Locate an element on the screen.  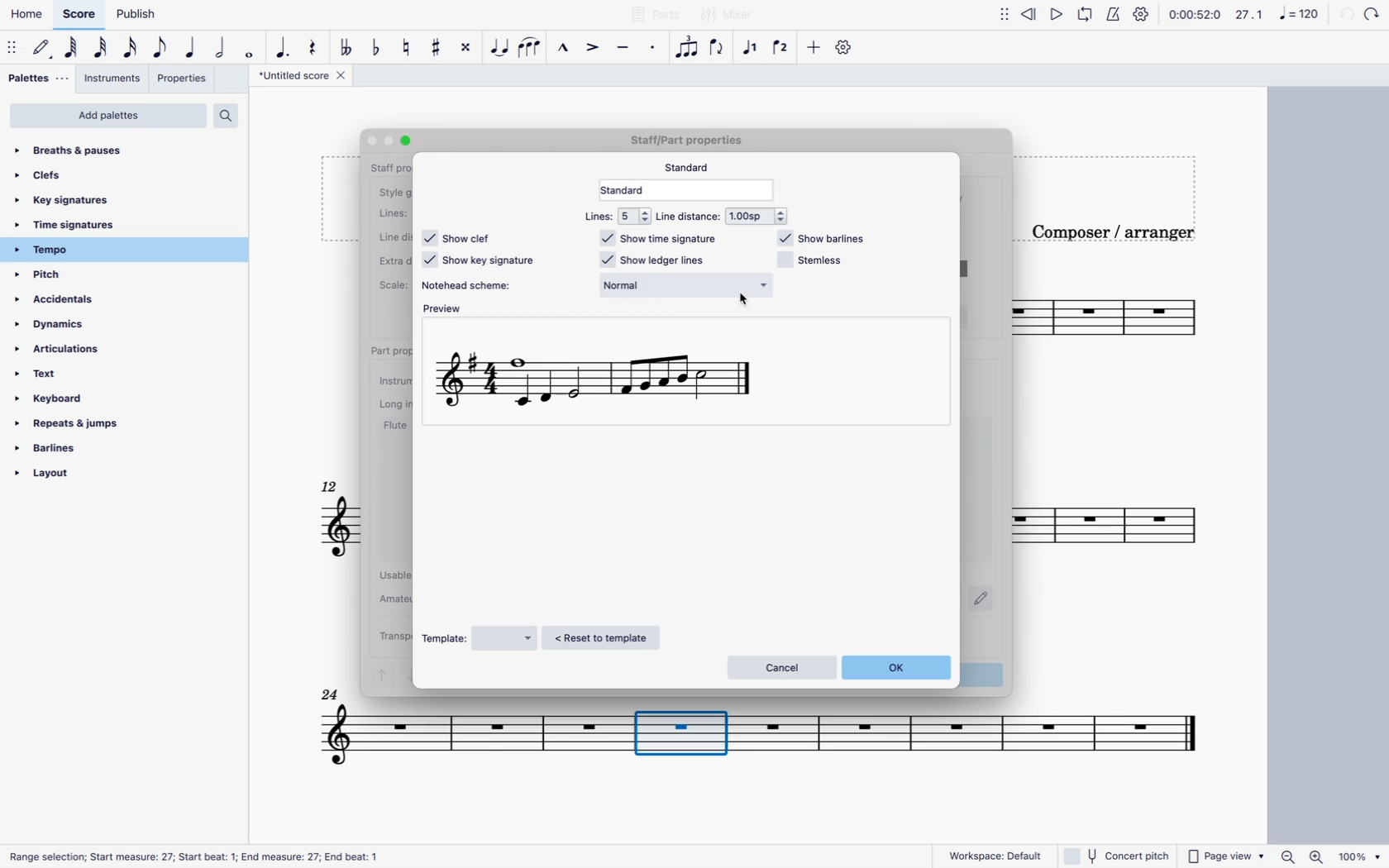
tempo is located at coordinates (105, 251).